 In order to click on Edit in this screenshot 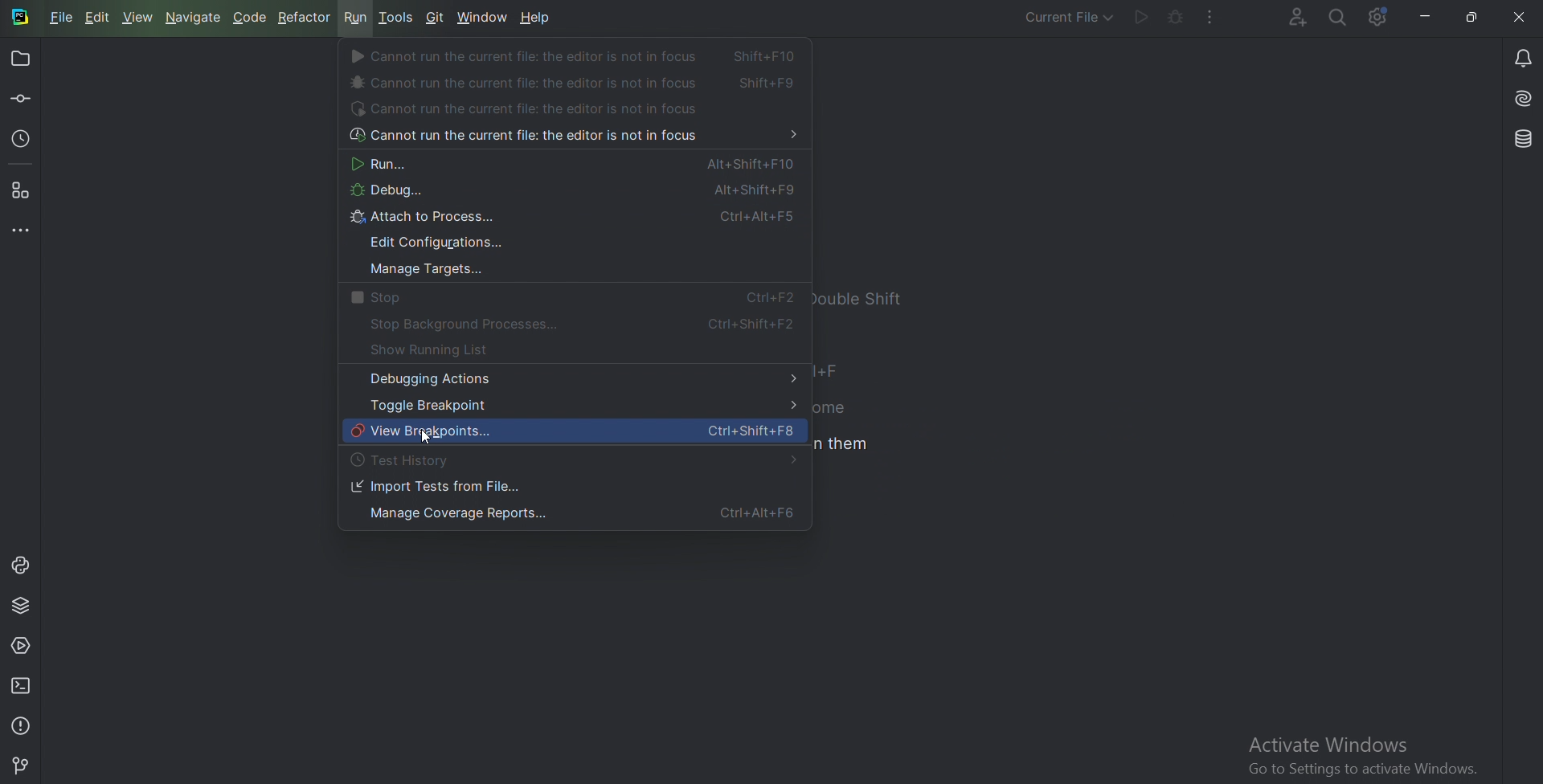, I will do `click(99, 17)`.